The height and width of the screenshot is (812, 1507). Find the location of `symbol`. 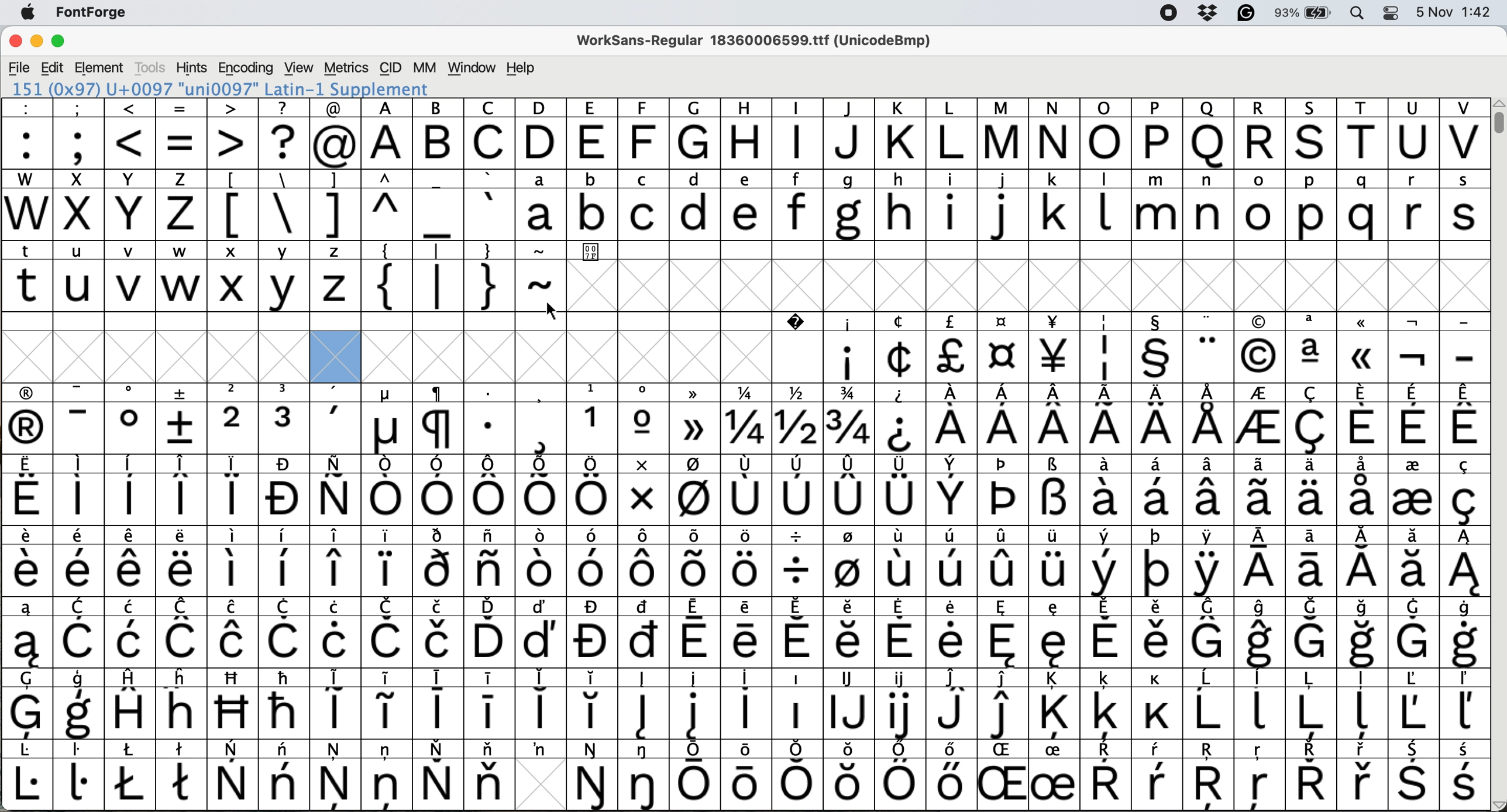

symbol is located at coordinates (1415, 349).